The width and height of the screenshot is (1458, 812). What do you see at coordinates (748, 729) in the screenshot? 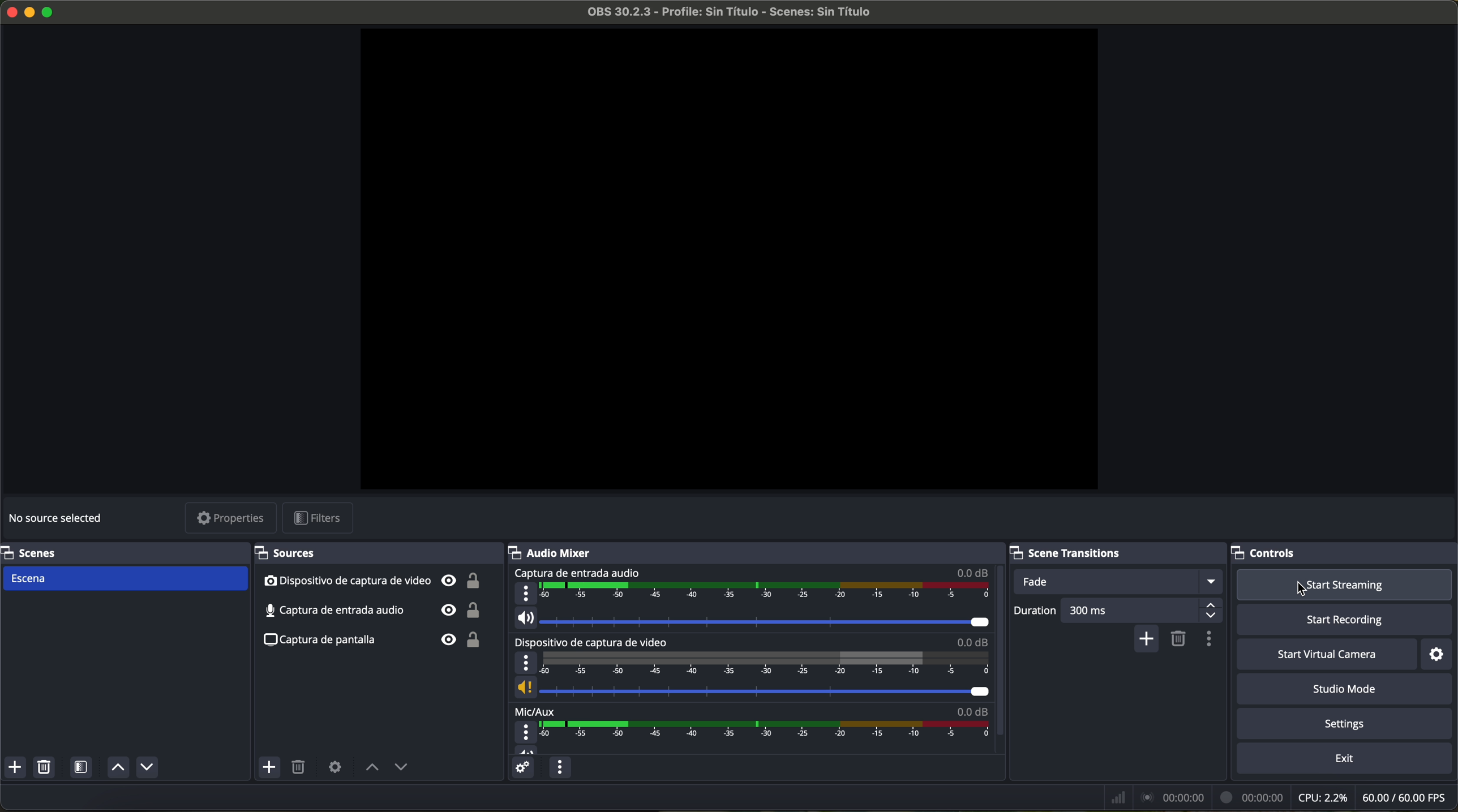
I see `Mic/Aux` at bounding box center [748, 729].